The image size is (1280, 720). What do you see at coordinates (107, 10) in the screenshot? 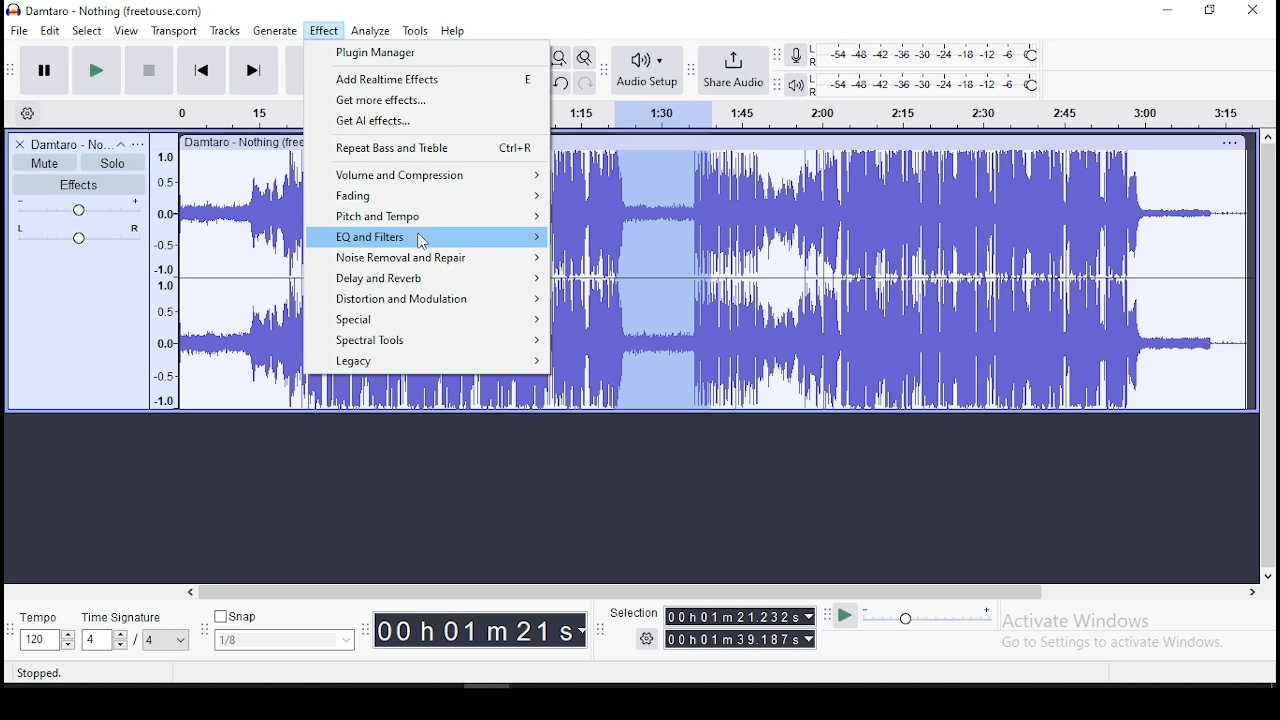
I see `) Damtaro - Nothing (freetouse.com)` at bounding box center [107, 10].